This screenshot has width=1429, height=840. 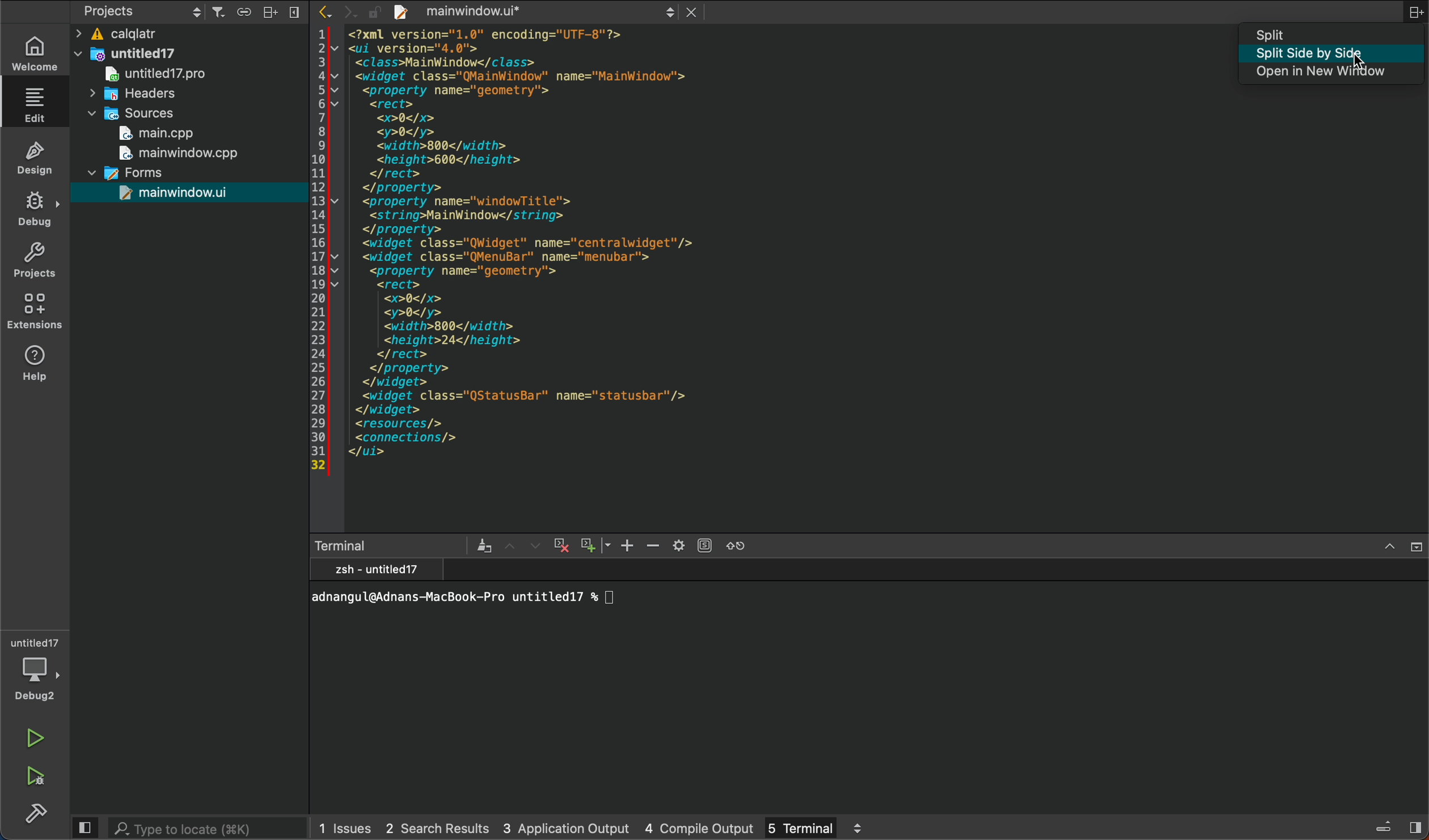 What do you see at coordinates (1335, 73) in the screenshot?
I see `open in new window` at bounding box center [1335, 73].